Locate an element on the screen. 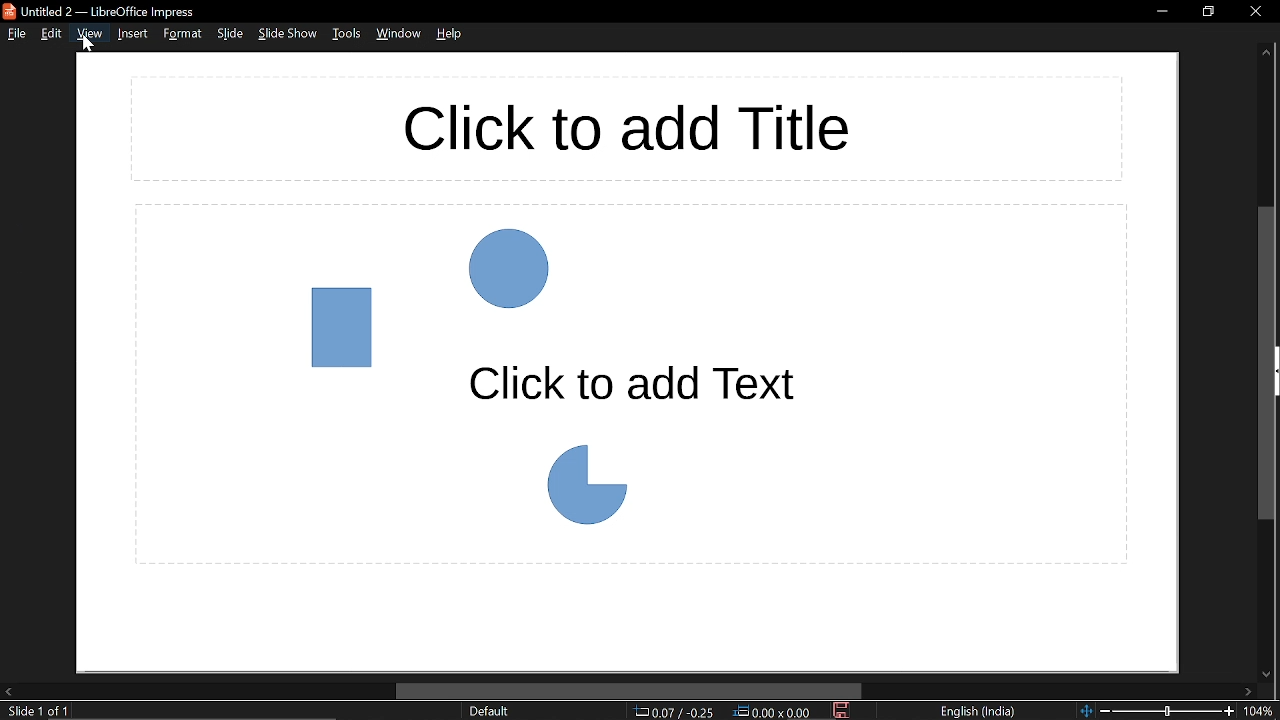 The image size is (1280, 720). Horizontal scrollbar is located at coordinates (630, 690).